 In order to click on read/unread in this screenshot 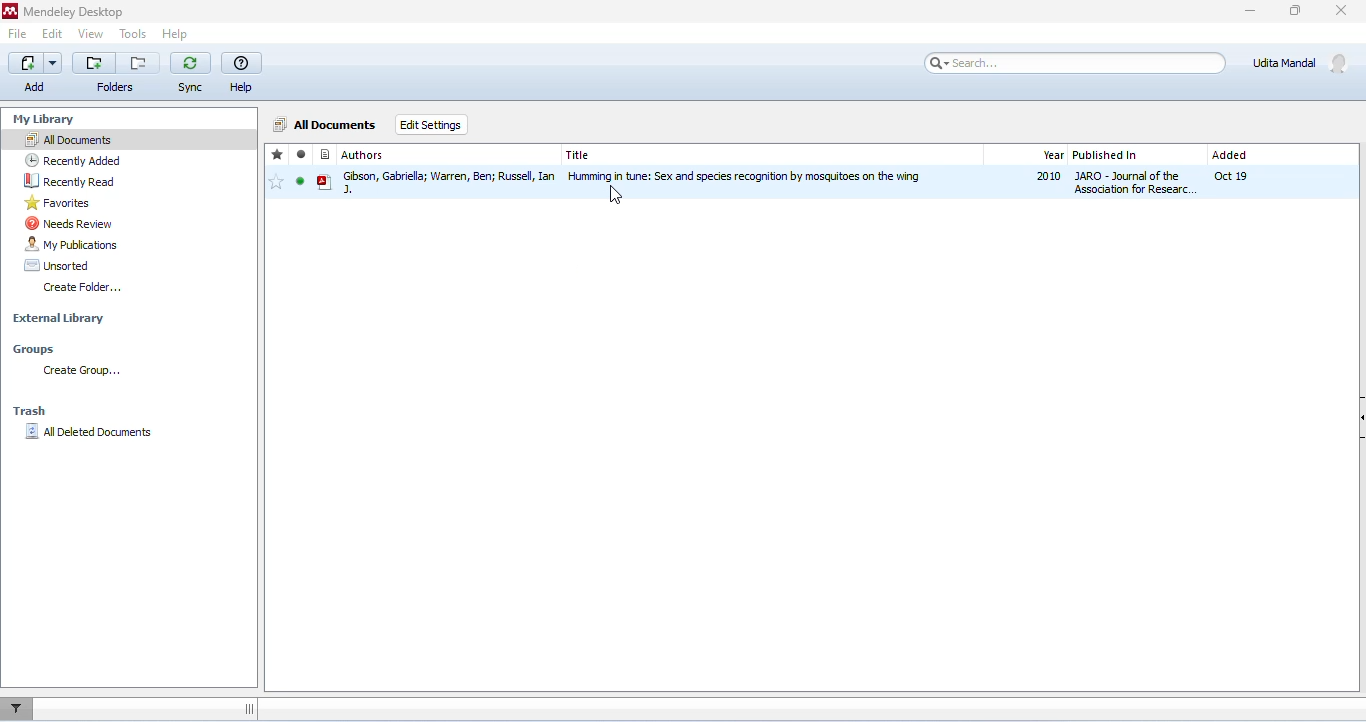, I will do `click(302, 154)`.